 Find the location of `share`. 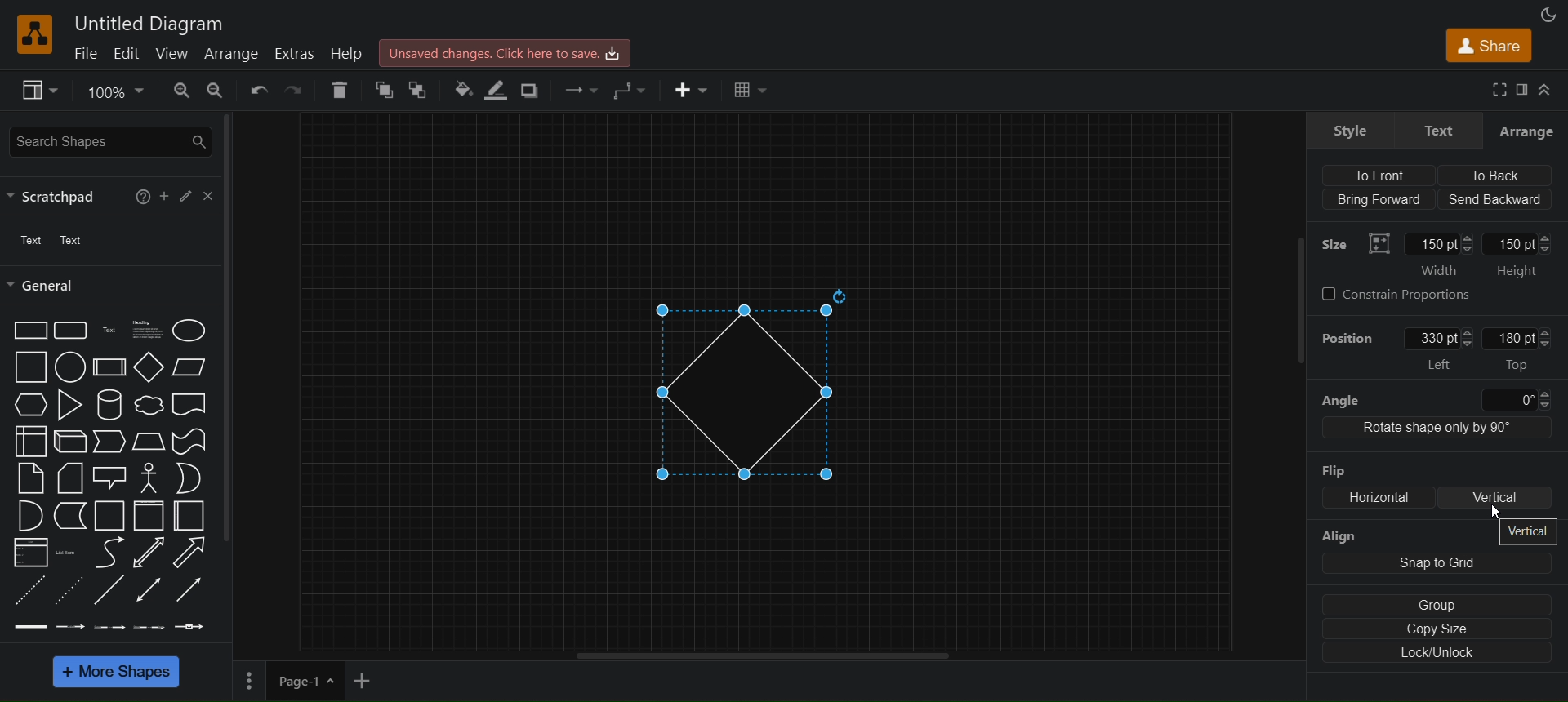

share is located at coordinates (1487, 44).